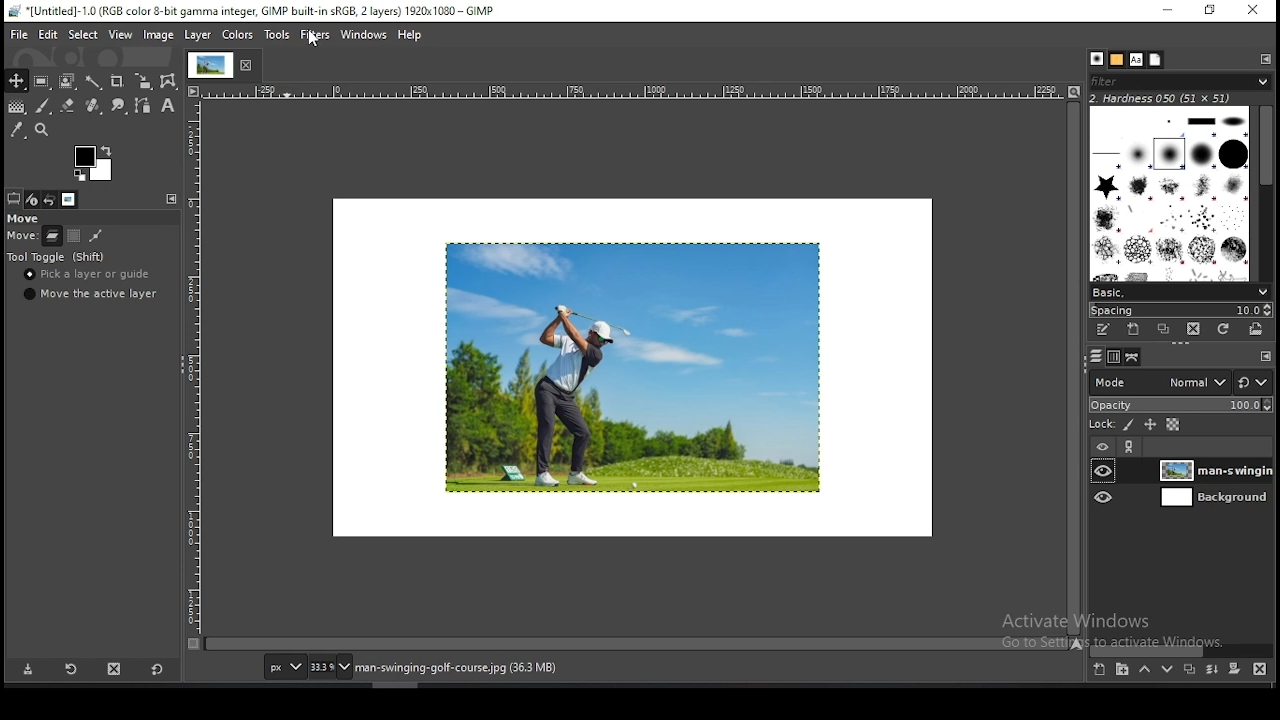  Describe the element at coordinates (200, 36) in the screenshot. I see `layer` at that location.